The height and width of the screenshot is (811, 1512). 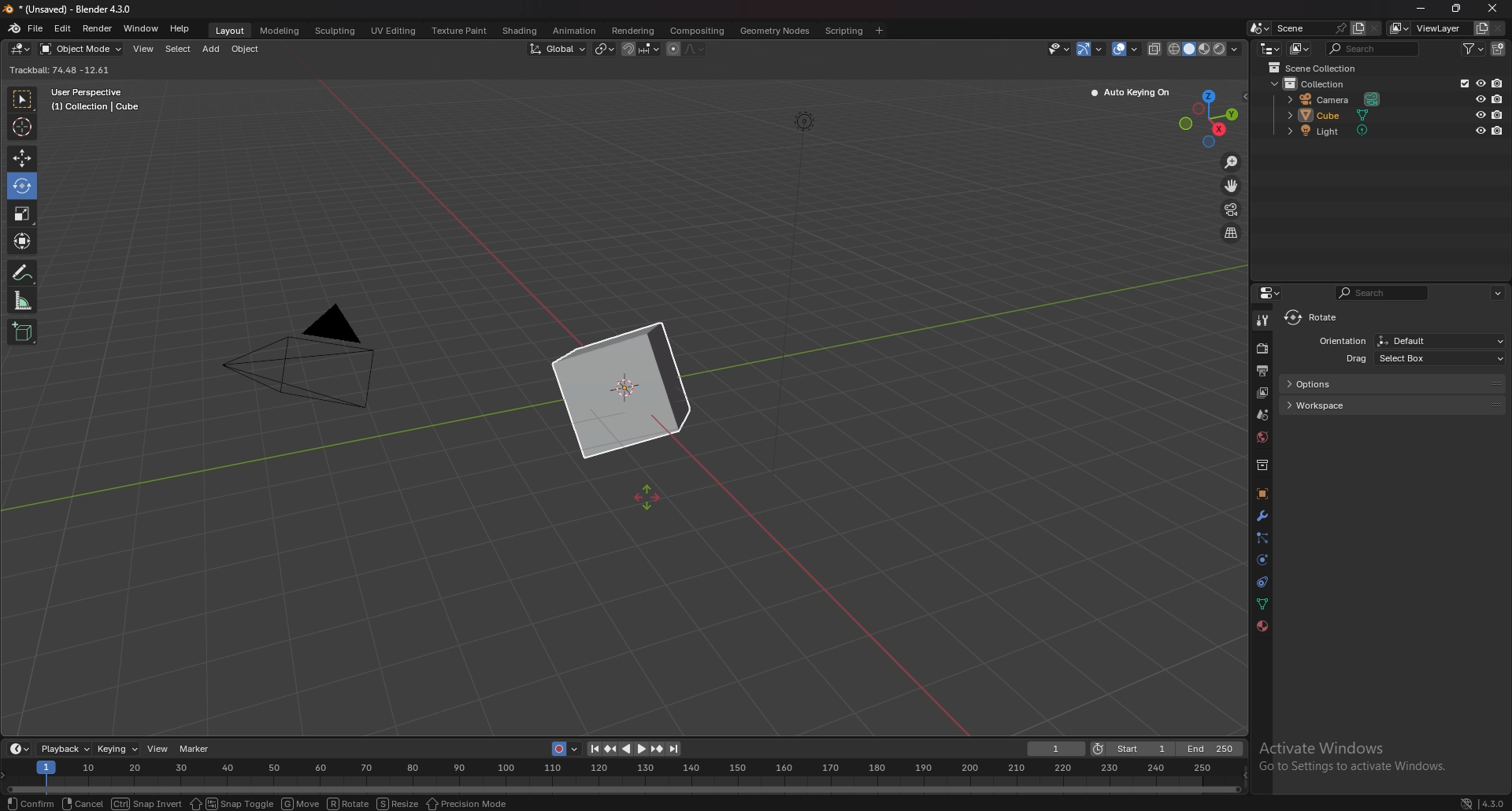 What do you see at coordinates (246, 50) in the screenshot?
I see `object` at bounding box center [246, 50].